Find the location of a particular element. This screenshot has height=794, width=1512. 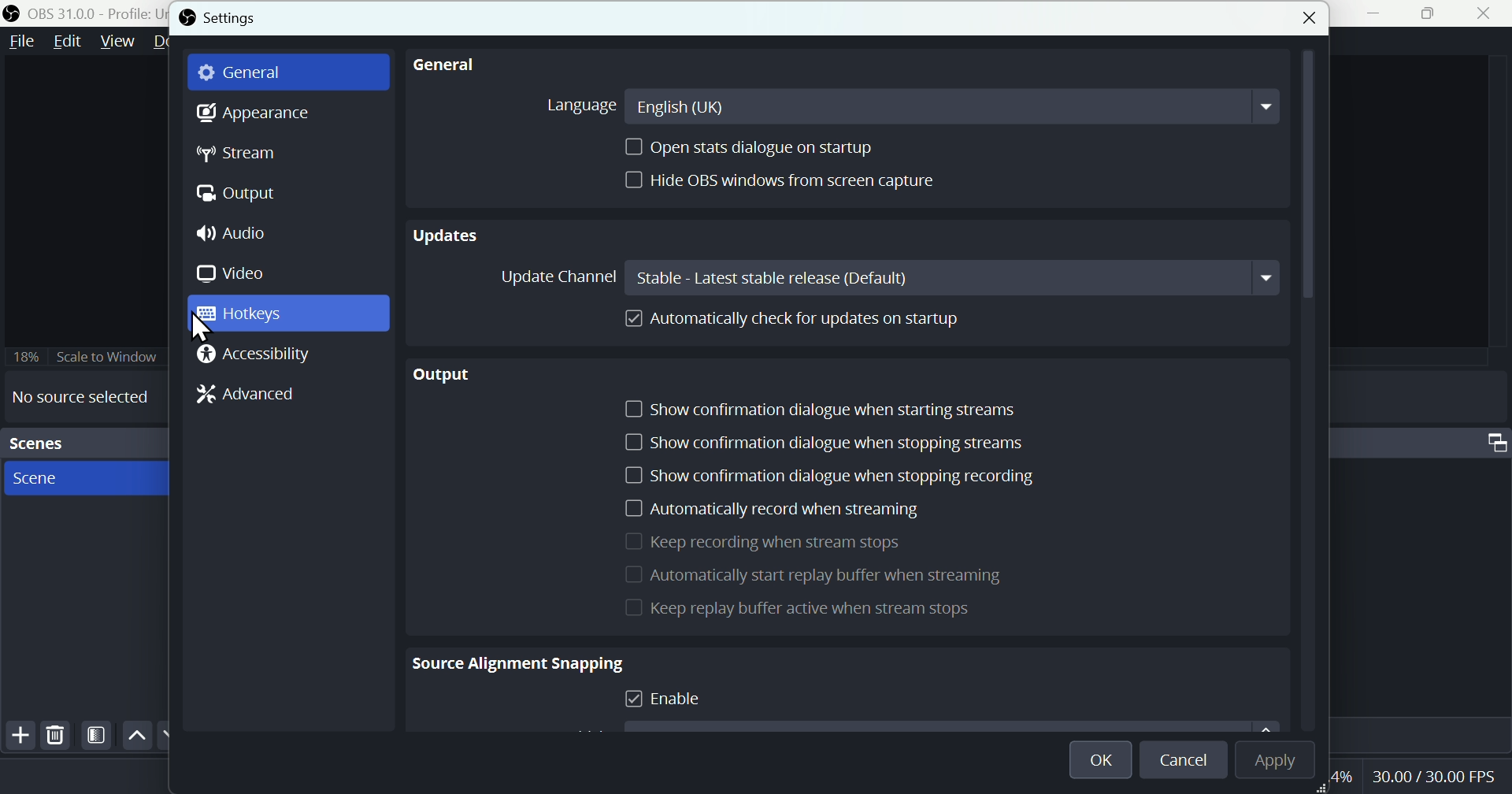

Performance bar paanchala is located at coordinates (1436, 779).